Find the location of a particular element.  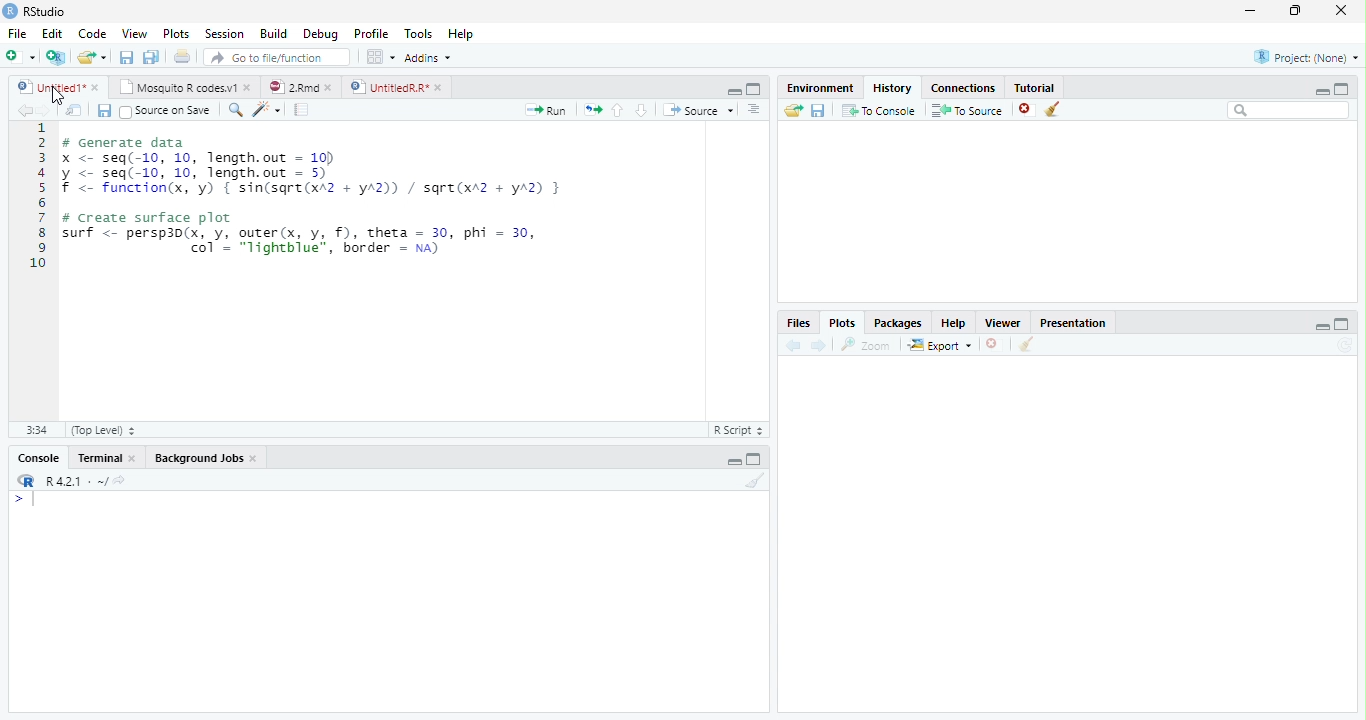

Run is located at coordinates (544, 110).